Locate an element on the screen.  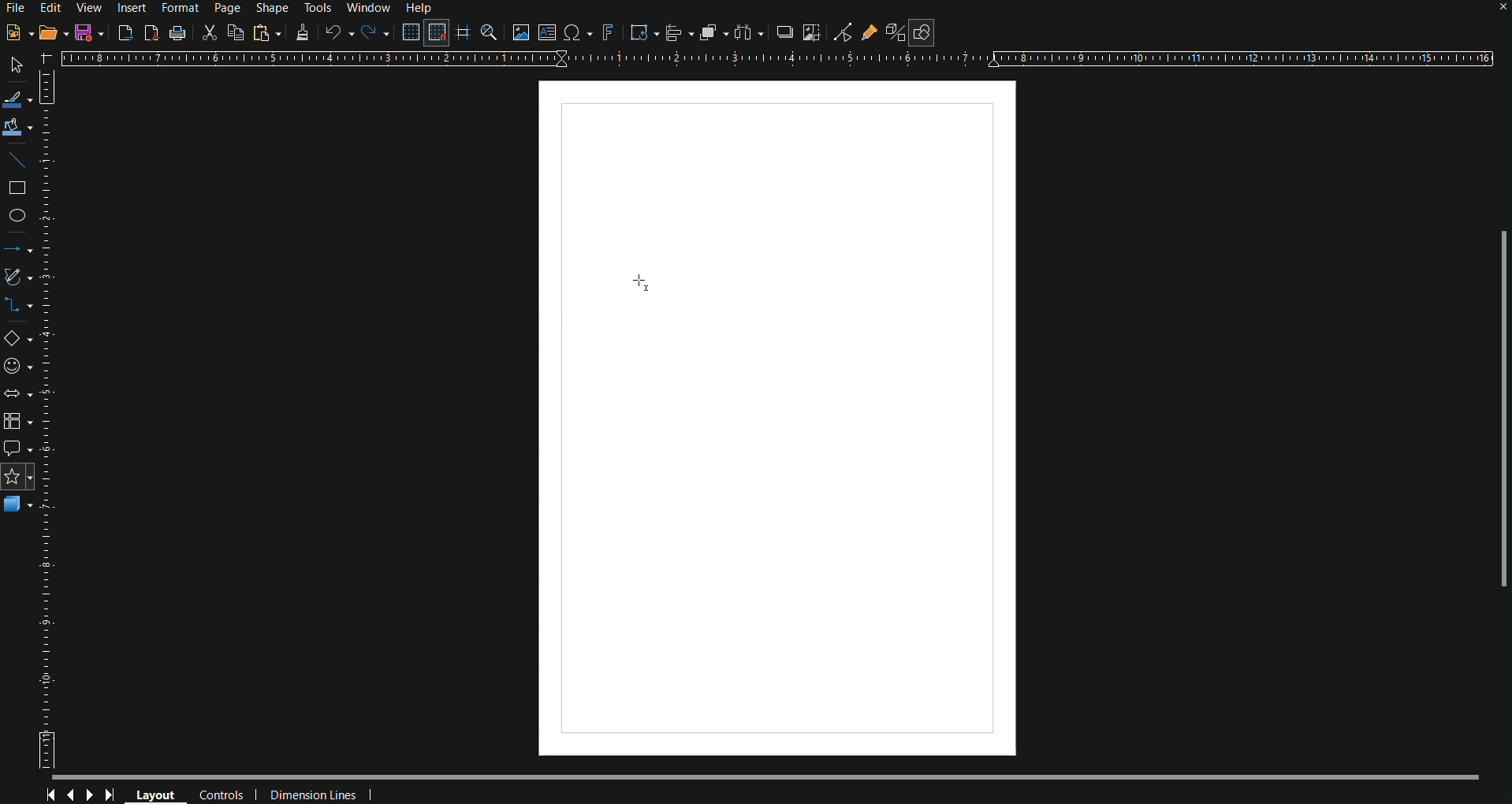
Crop Image is located at coordinates (813, 35).